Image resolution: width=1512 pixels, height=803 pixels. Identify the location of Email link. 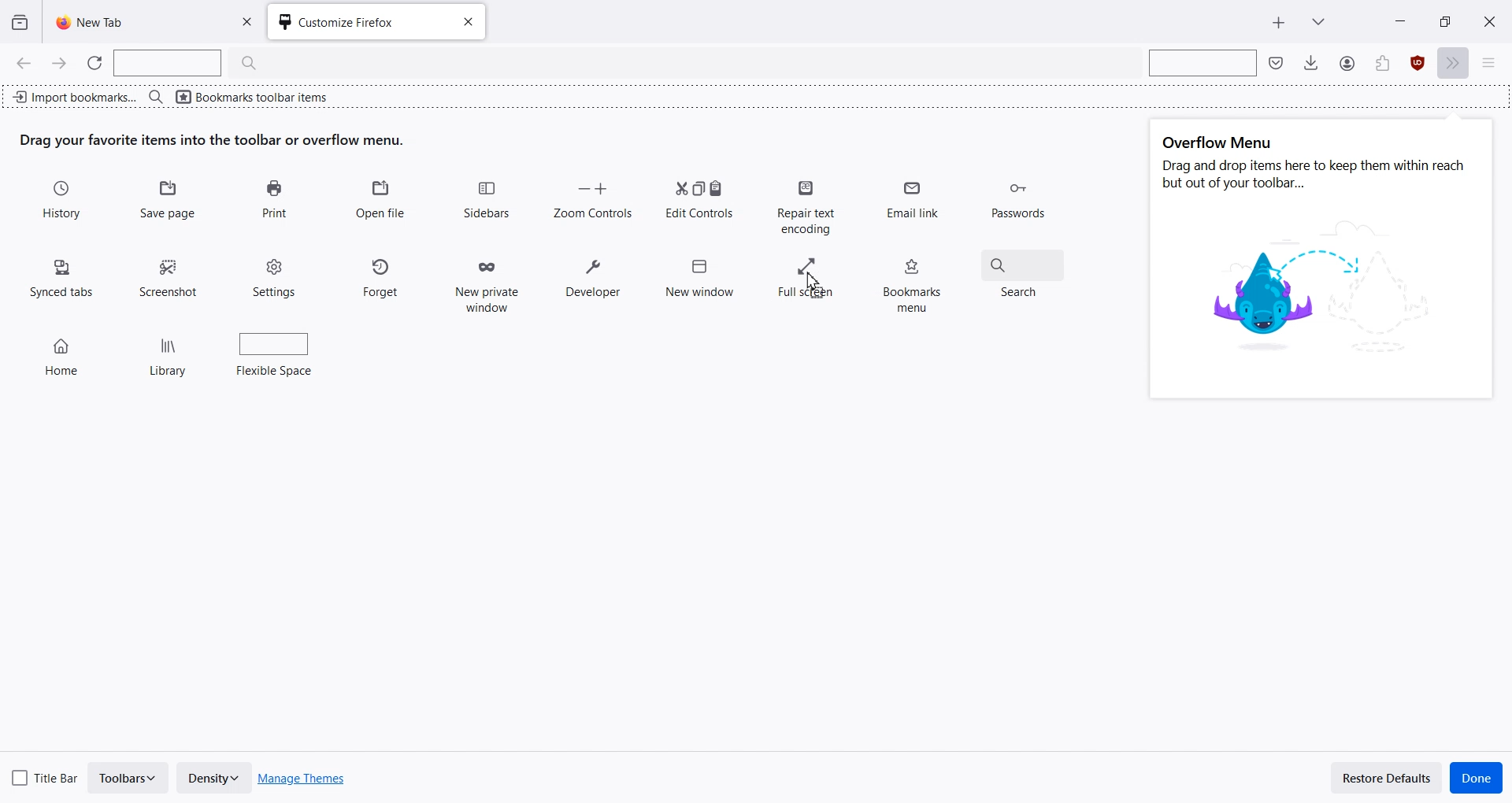
(915, 205).